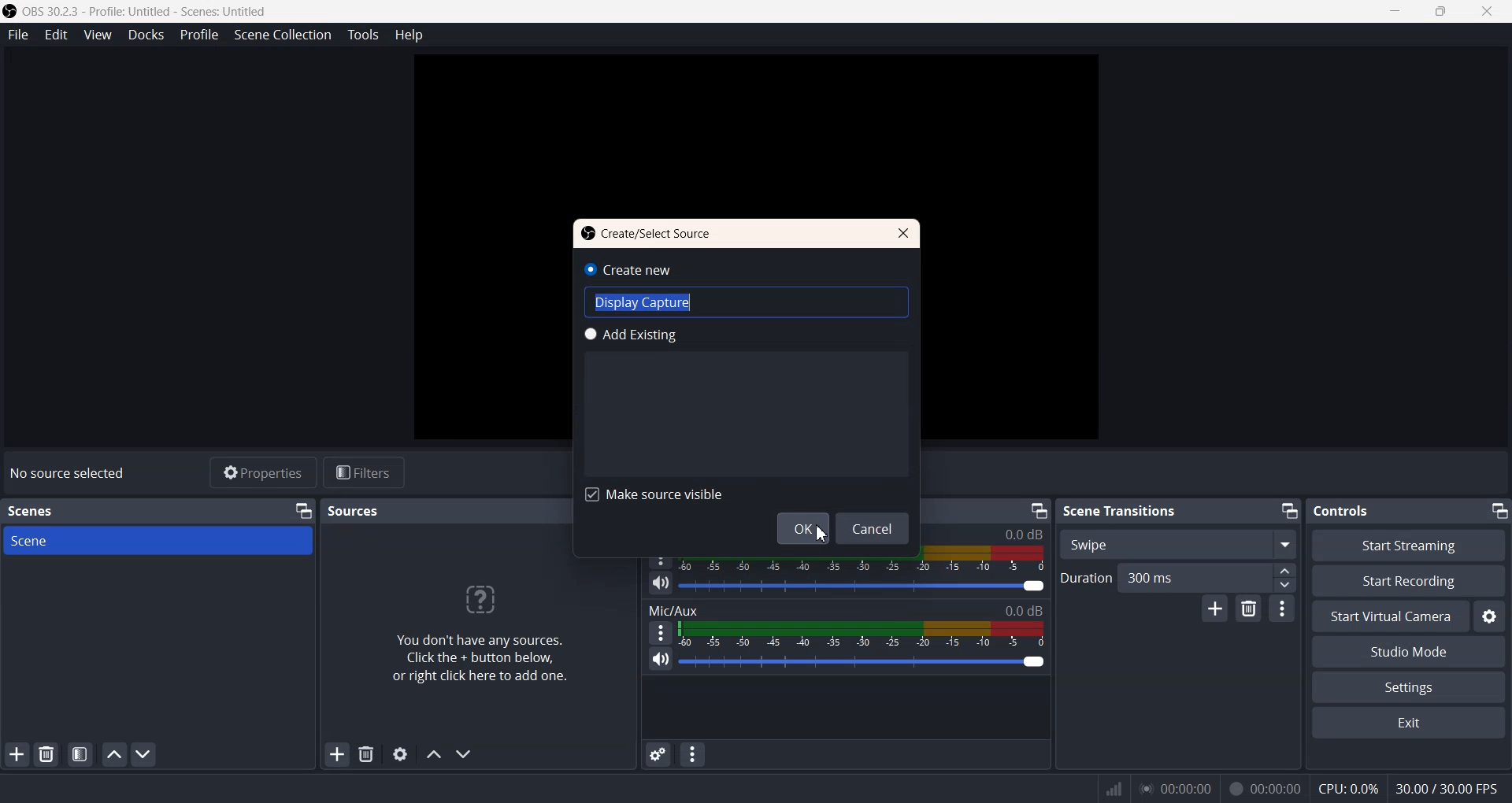 This screenshot has height=803, width=1512. What do you see at coordinates (661, 556) in the screenshot?
I see `More` at bounding box center [661, 556].